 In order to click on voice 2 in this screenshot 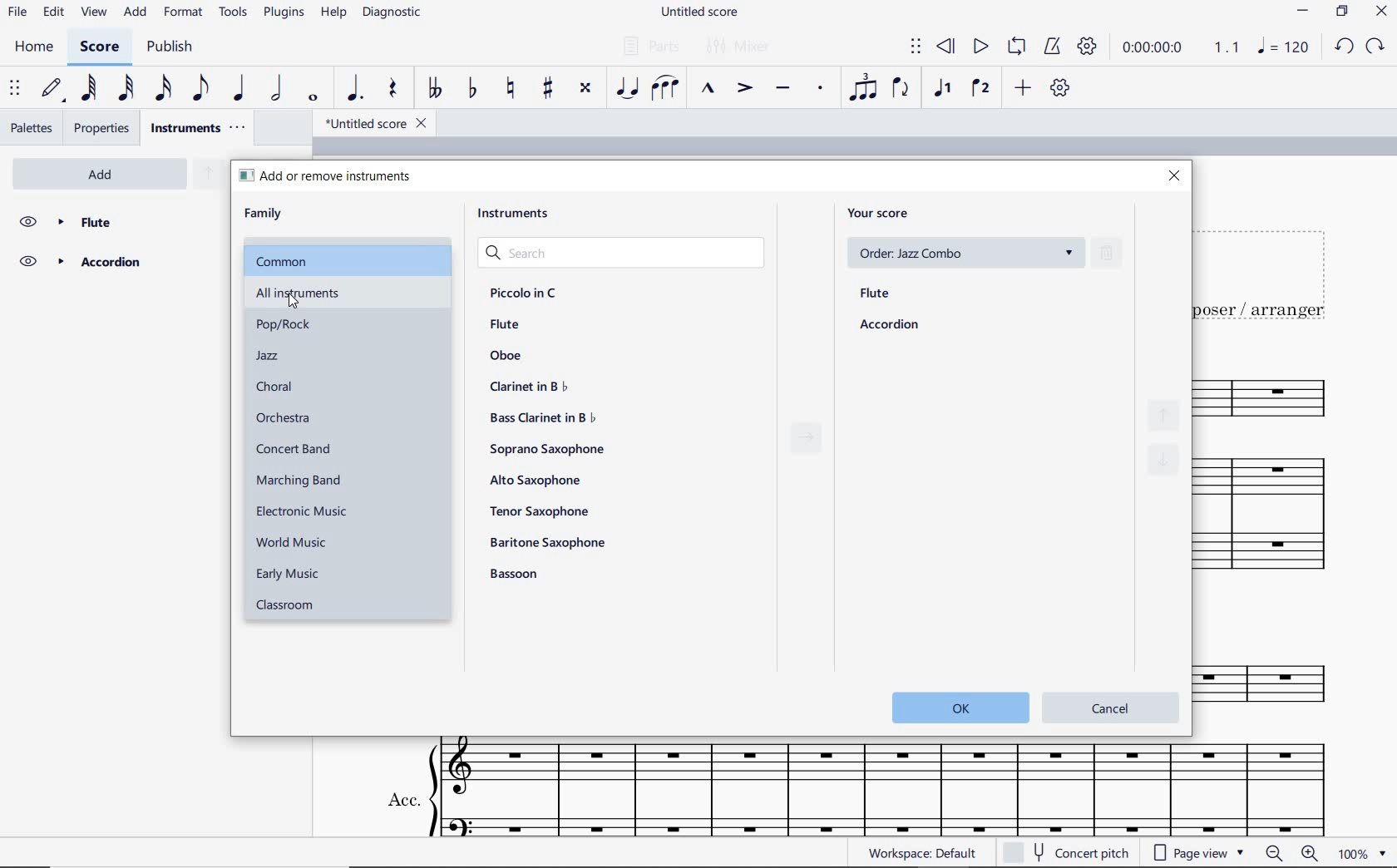, I will do `click(980, 89)`.